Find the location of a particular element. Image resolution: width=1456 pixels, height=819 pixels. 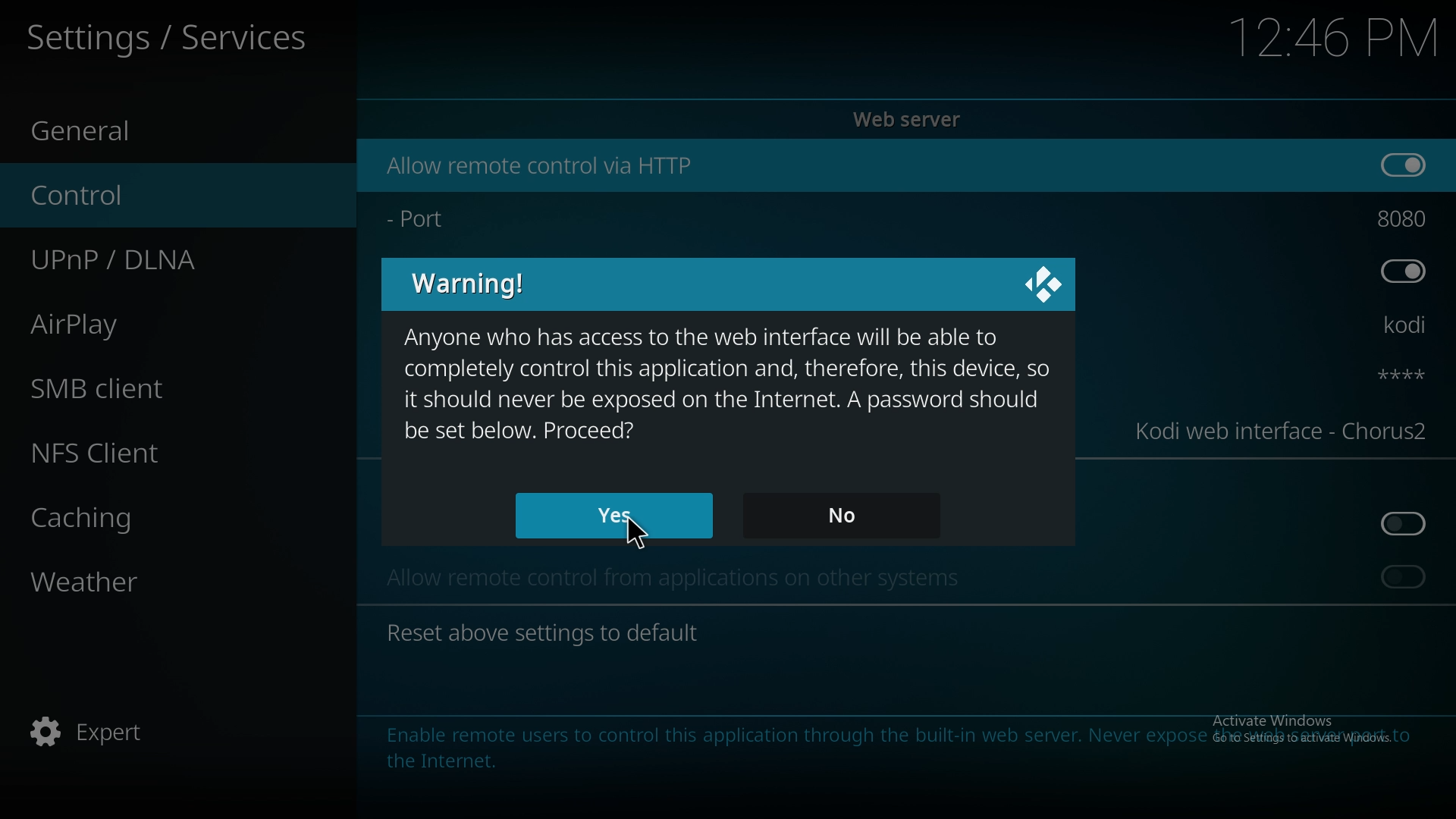

cursor is located at coordinates (639, 535).